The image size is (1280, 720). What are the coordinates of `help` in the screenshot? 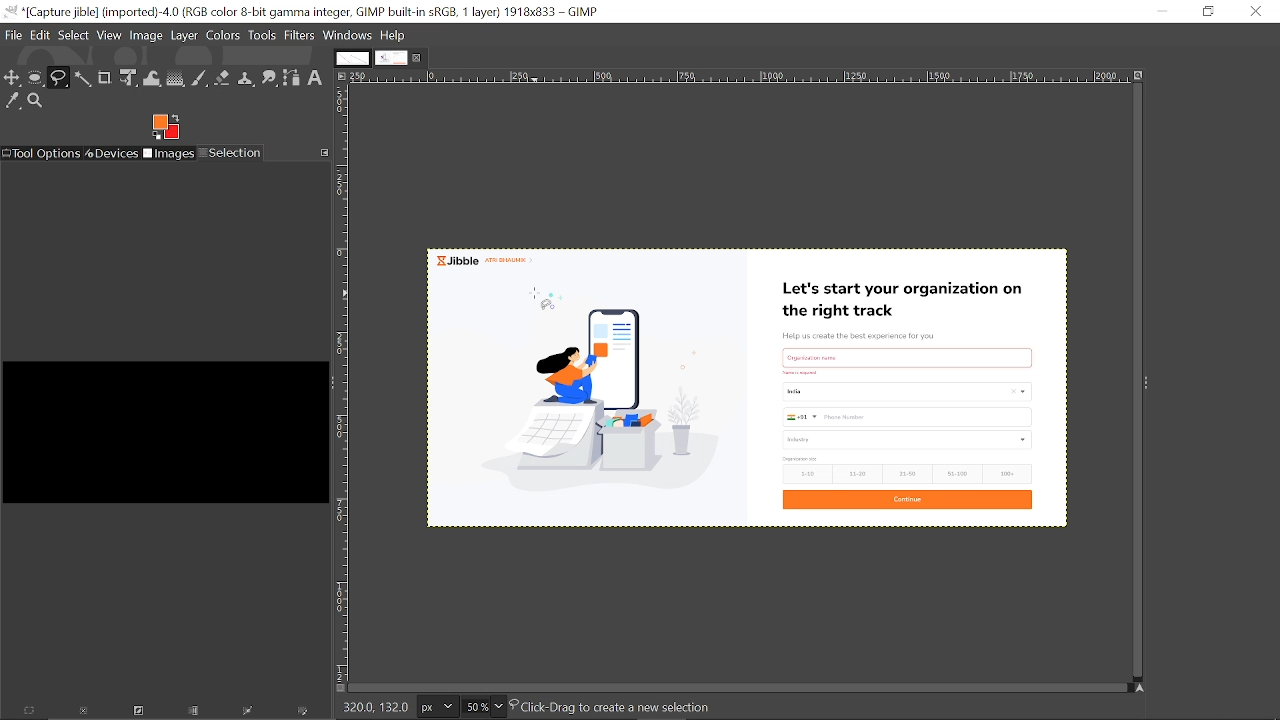 It's located at (394, 35).